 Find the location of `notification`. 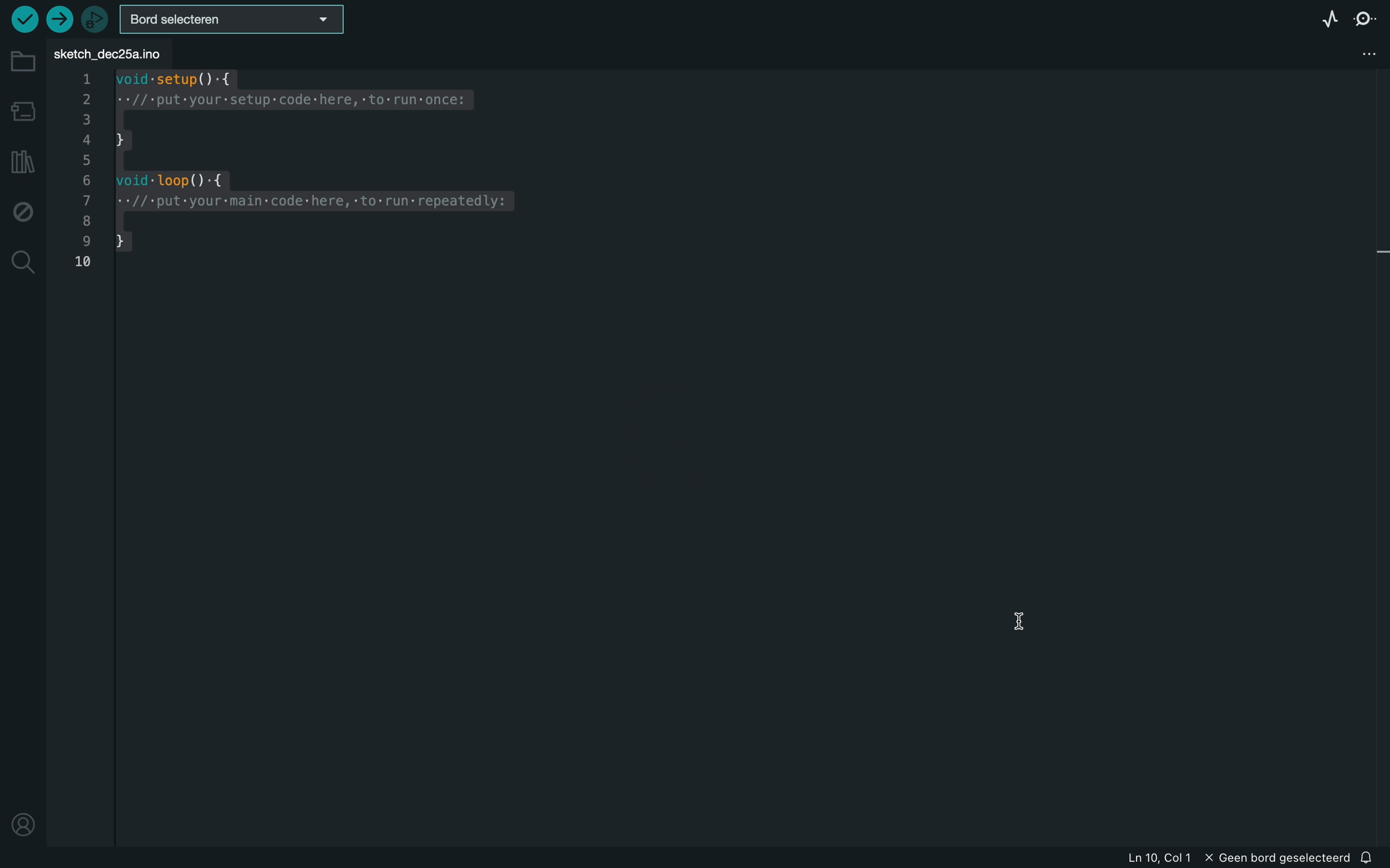

notification is located at coordinates (1369, 858).